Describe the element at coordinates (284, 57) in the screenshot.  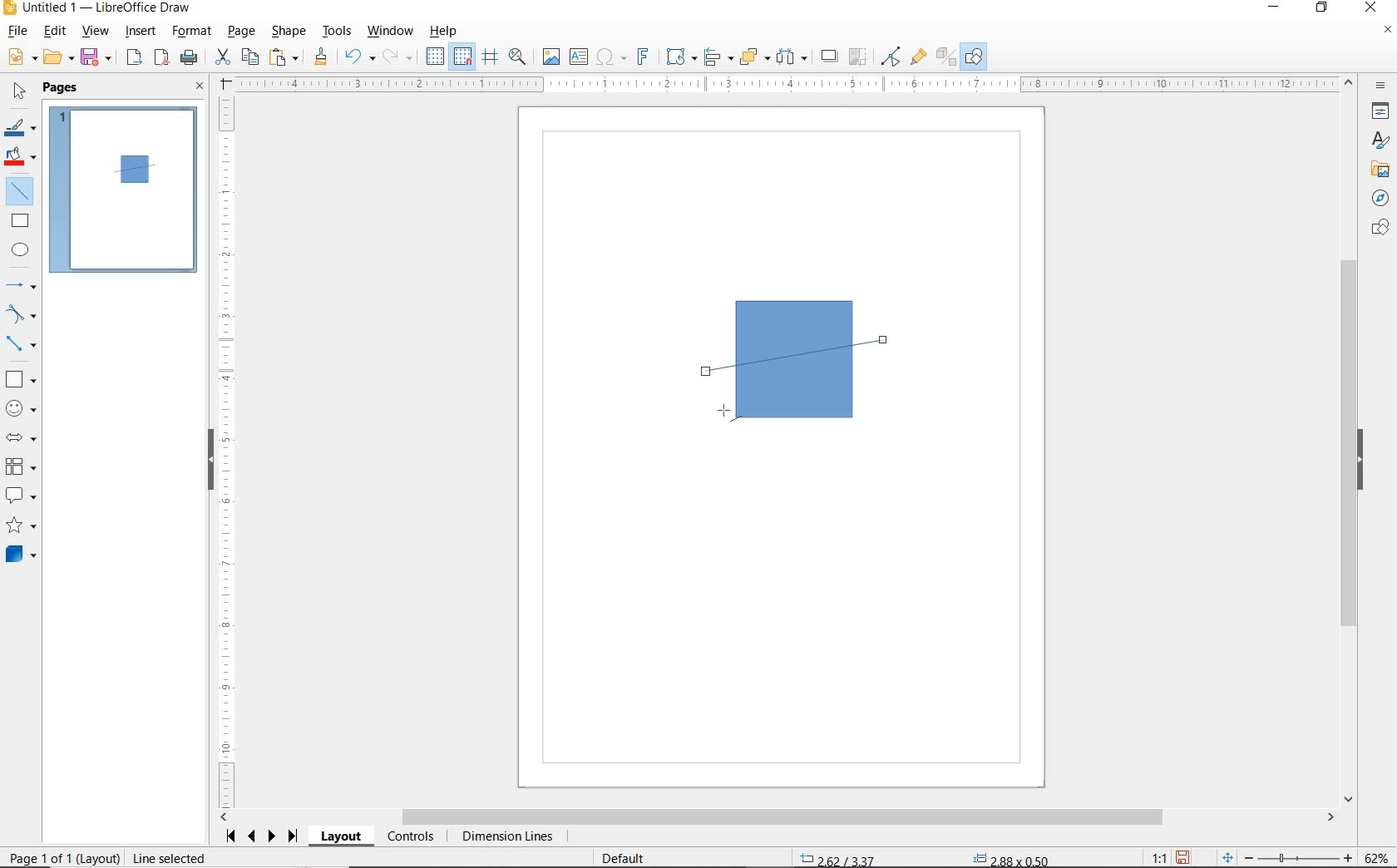
I see `PASTE` at that location.